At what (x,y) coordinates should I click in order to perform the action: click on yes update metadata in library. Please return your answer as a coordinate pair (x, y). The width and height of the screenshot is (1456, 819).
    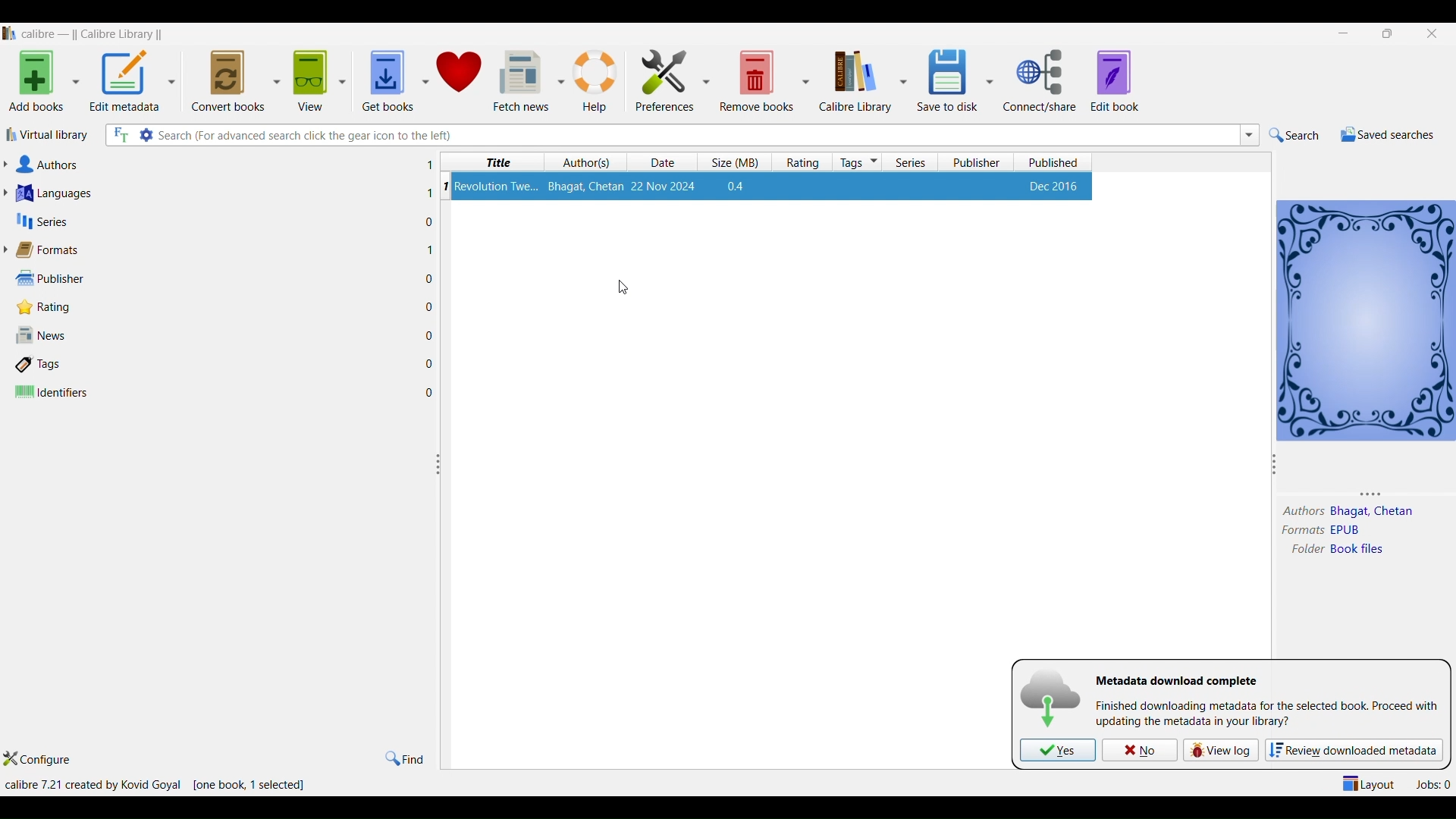
    Looking at the image, I should click on (1059, 750).